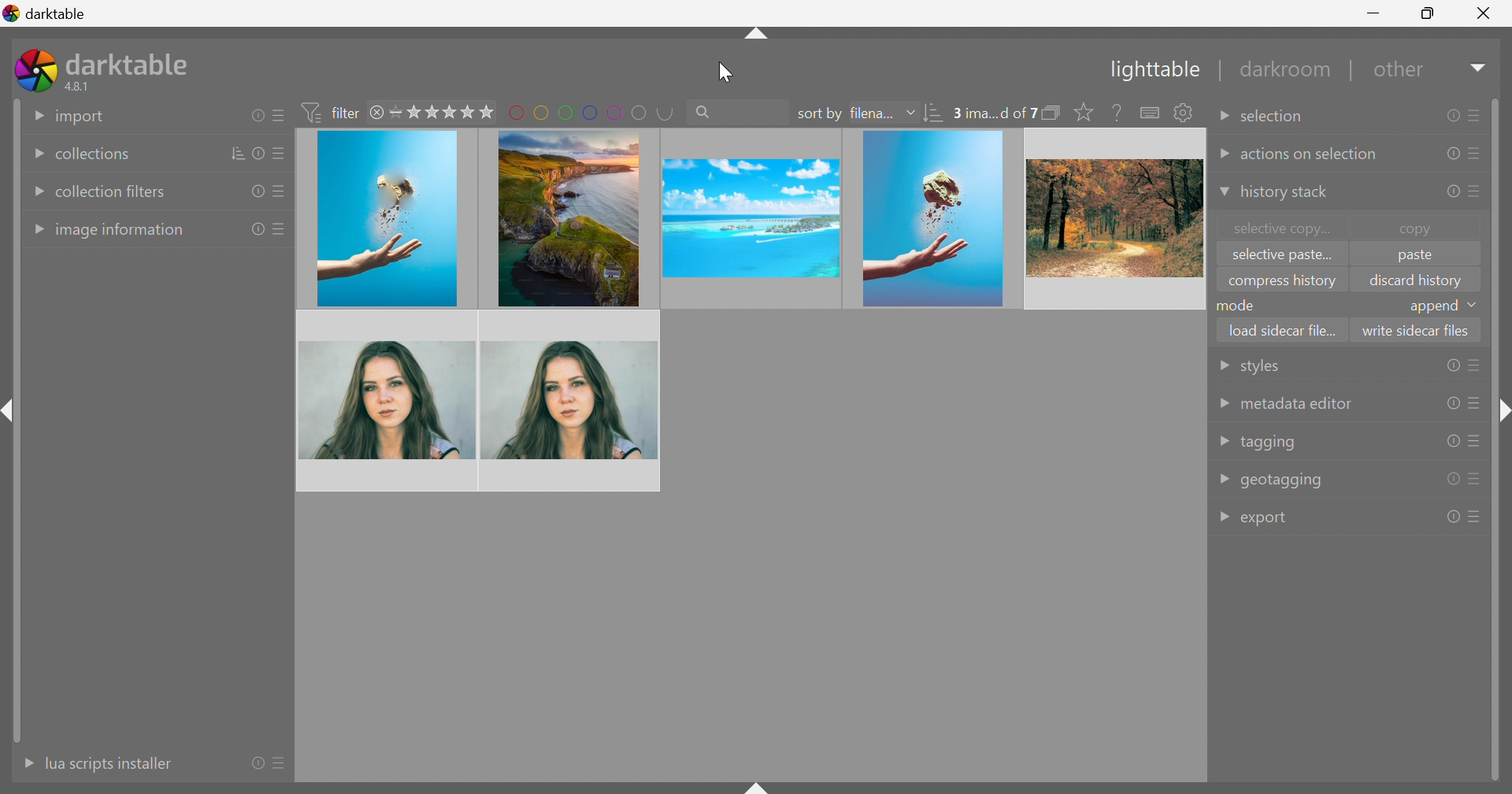 The height and width of the screenshot is (794, 1512). Describe the element at coordinates (23, 763) in the screenshot. I see `More` at that location.